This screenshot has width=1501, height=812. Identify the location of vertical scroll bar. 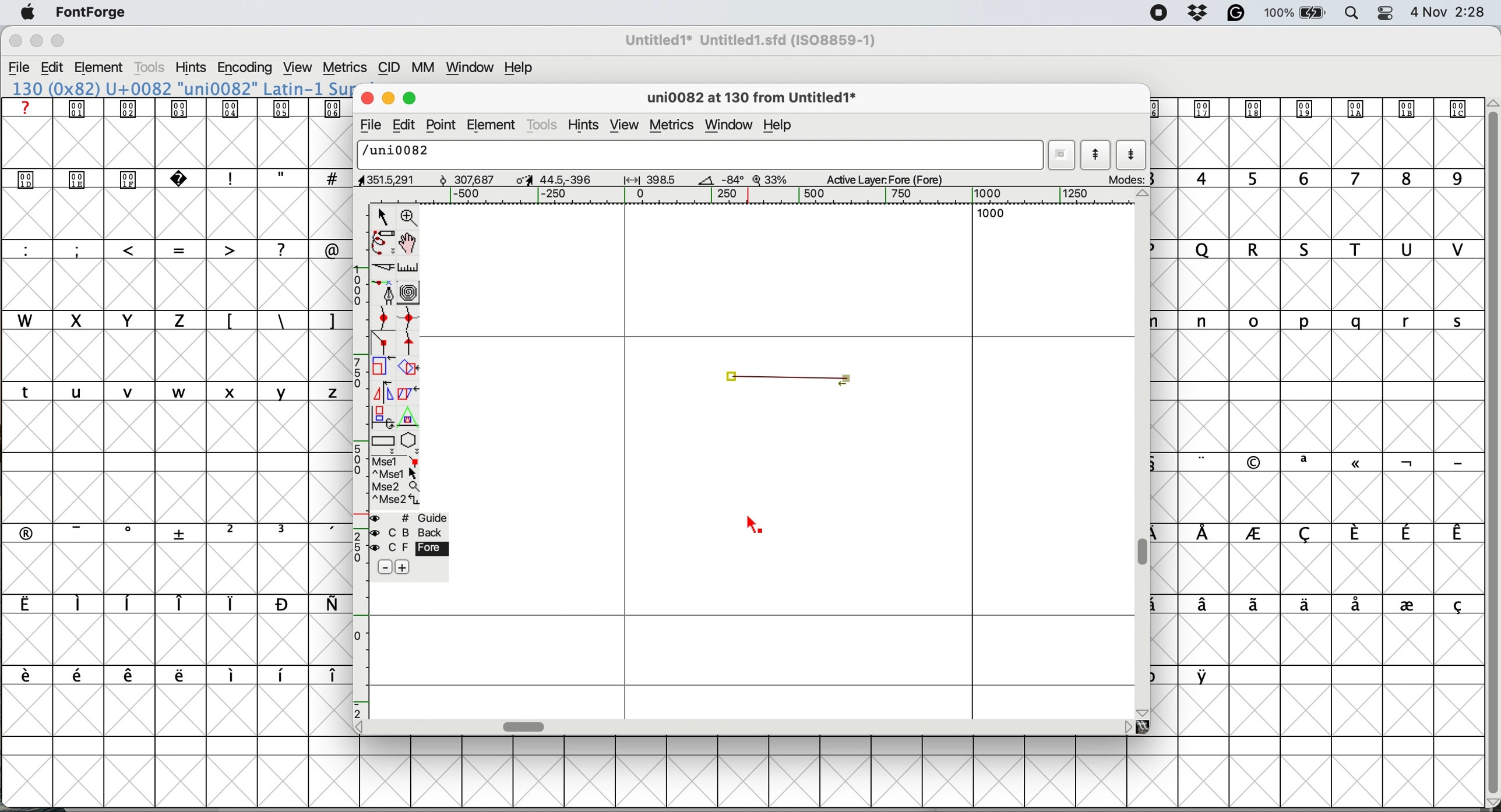
(1491, 448).